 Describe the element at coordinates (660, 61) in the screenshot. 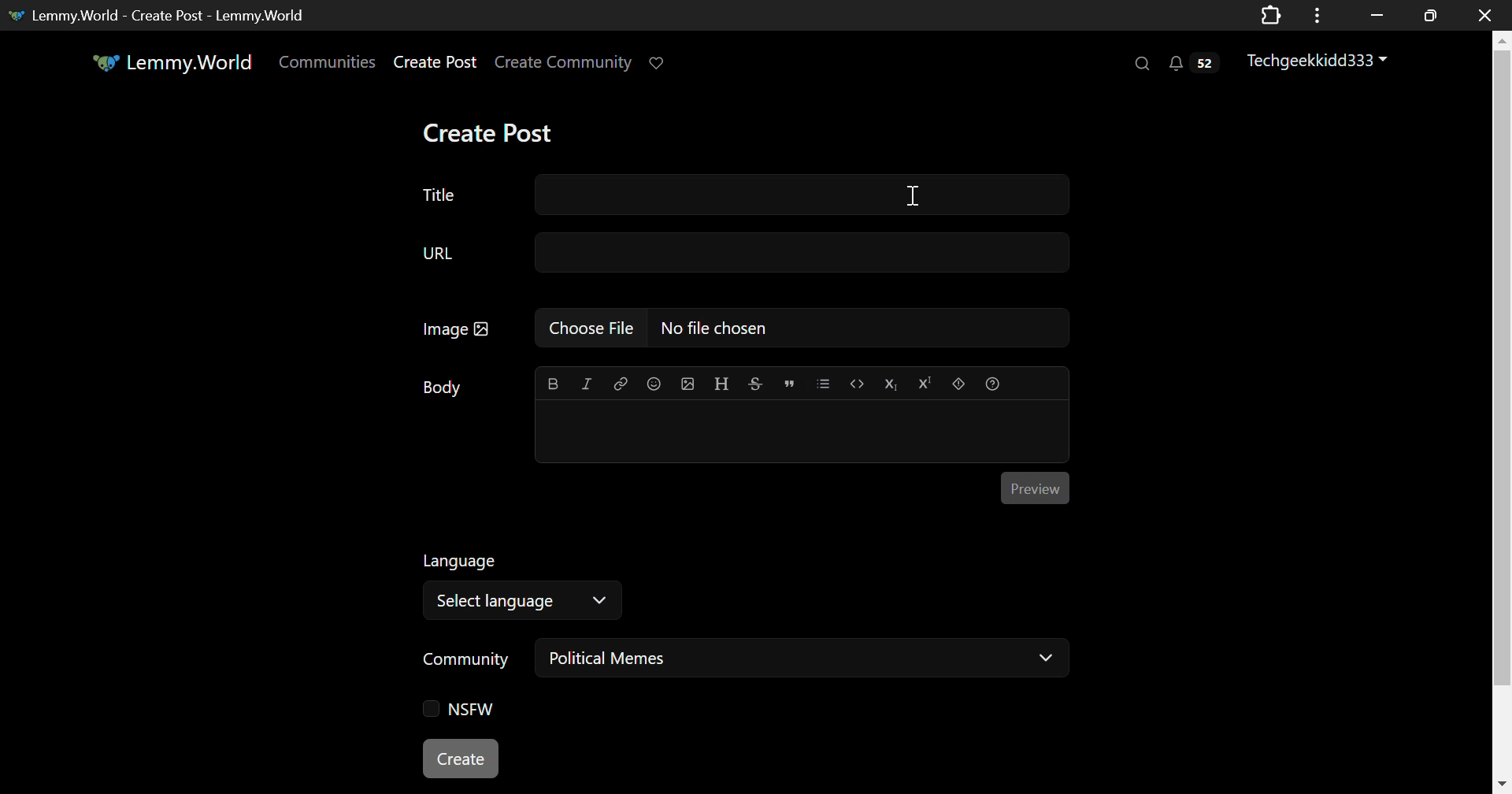

I see `Donate to Lemmy` at that location.